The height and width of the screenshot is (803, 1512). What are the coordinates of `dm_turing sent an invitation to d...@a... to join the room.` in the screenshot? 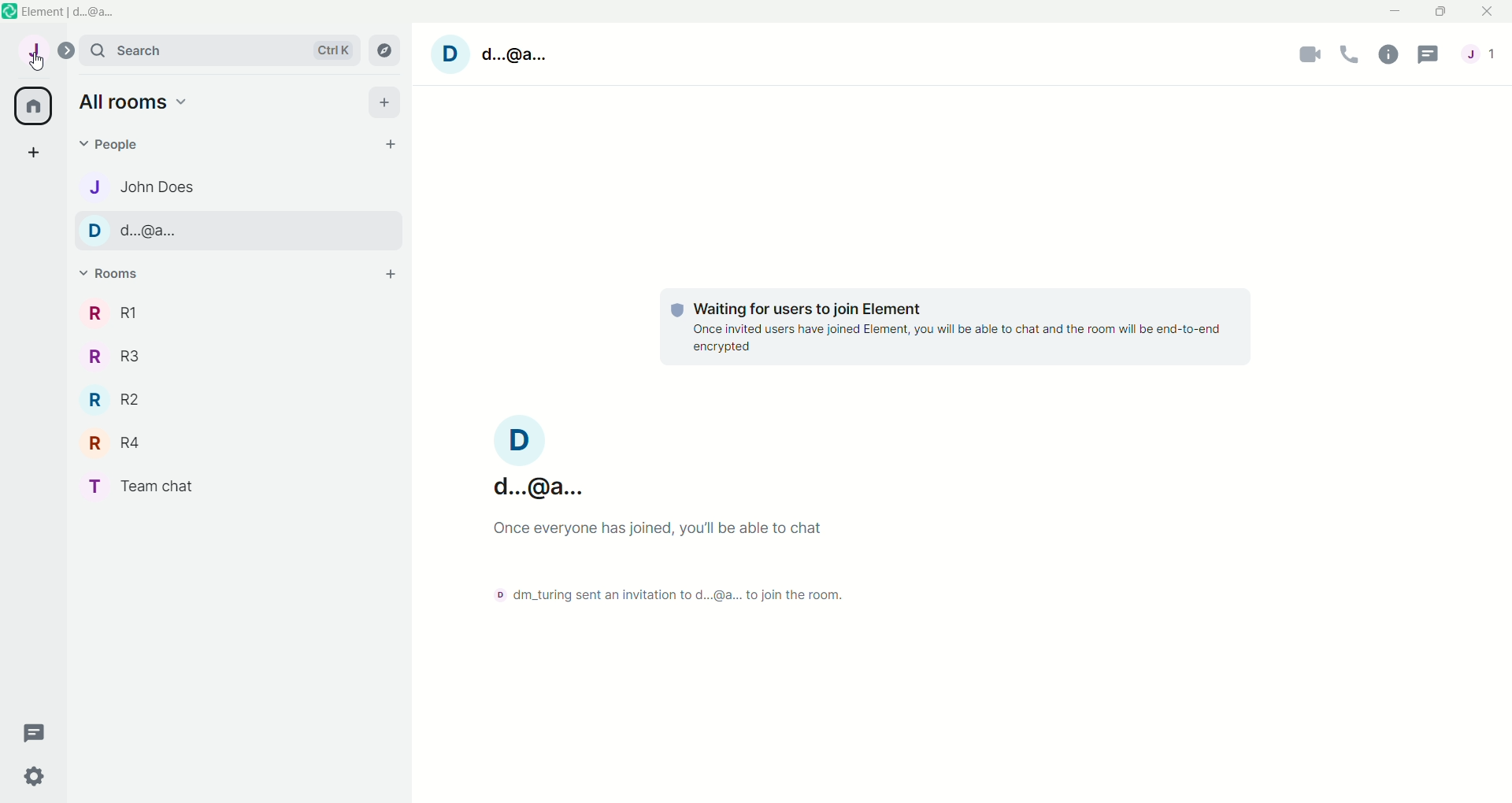 It's located at (675, 594).